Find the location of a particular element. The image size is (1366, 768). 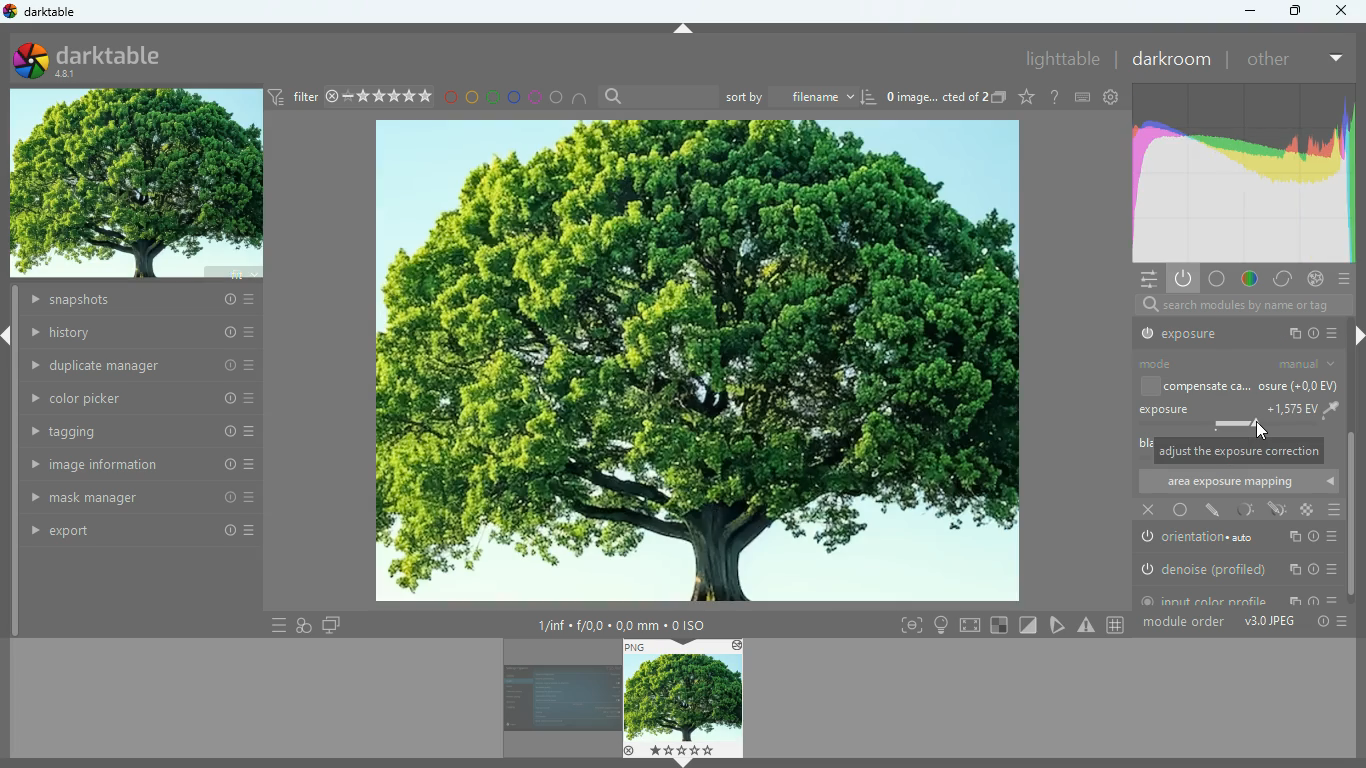

message is located at coordinates (1236, 451).